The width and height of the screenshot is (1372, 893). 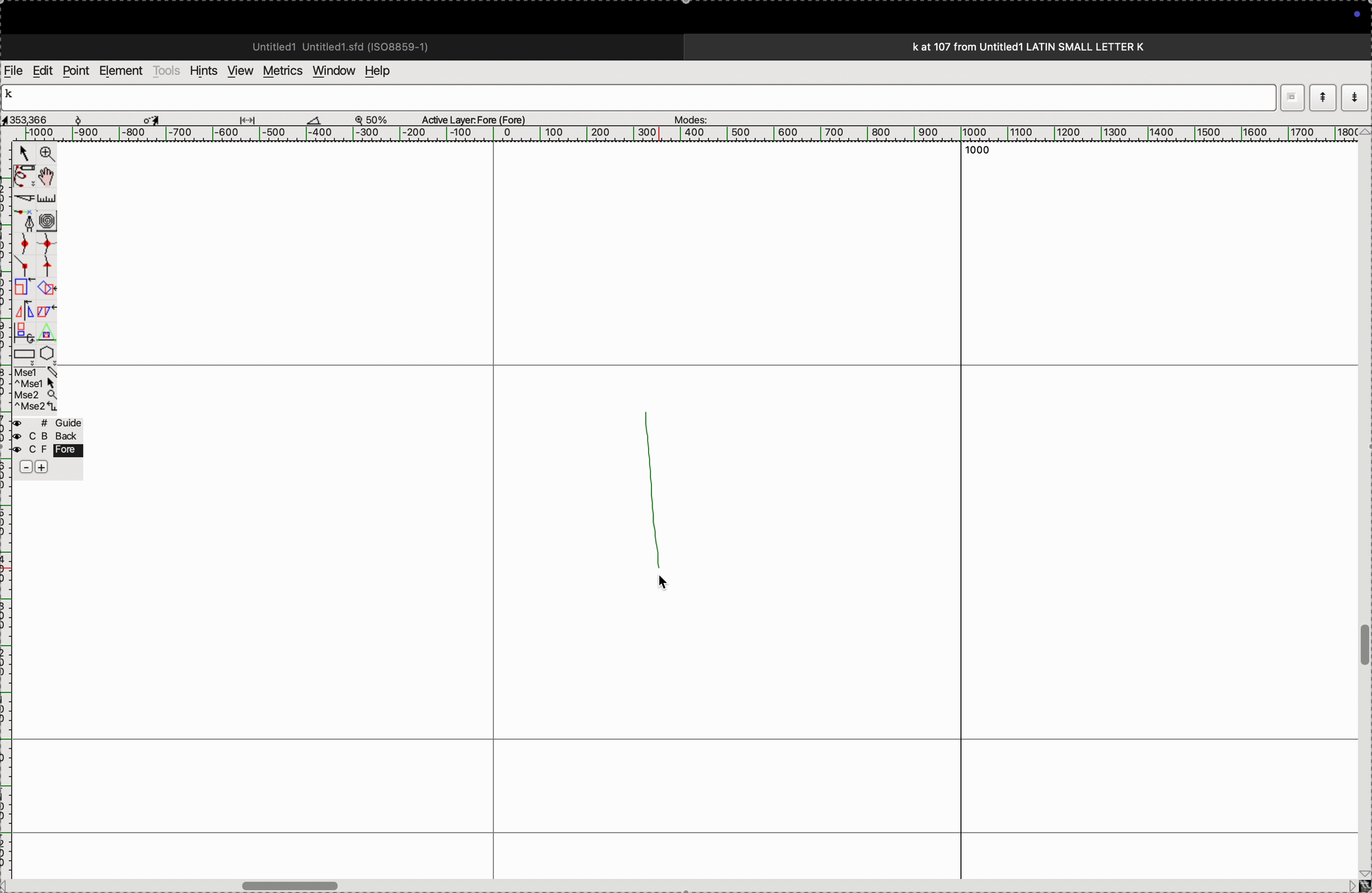 I want to click on mode down, so click(x=1356, y=98).